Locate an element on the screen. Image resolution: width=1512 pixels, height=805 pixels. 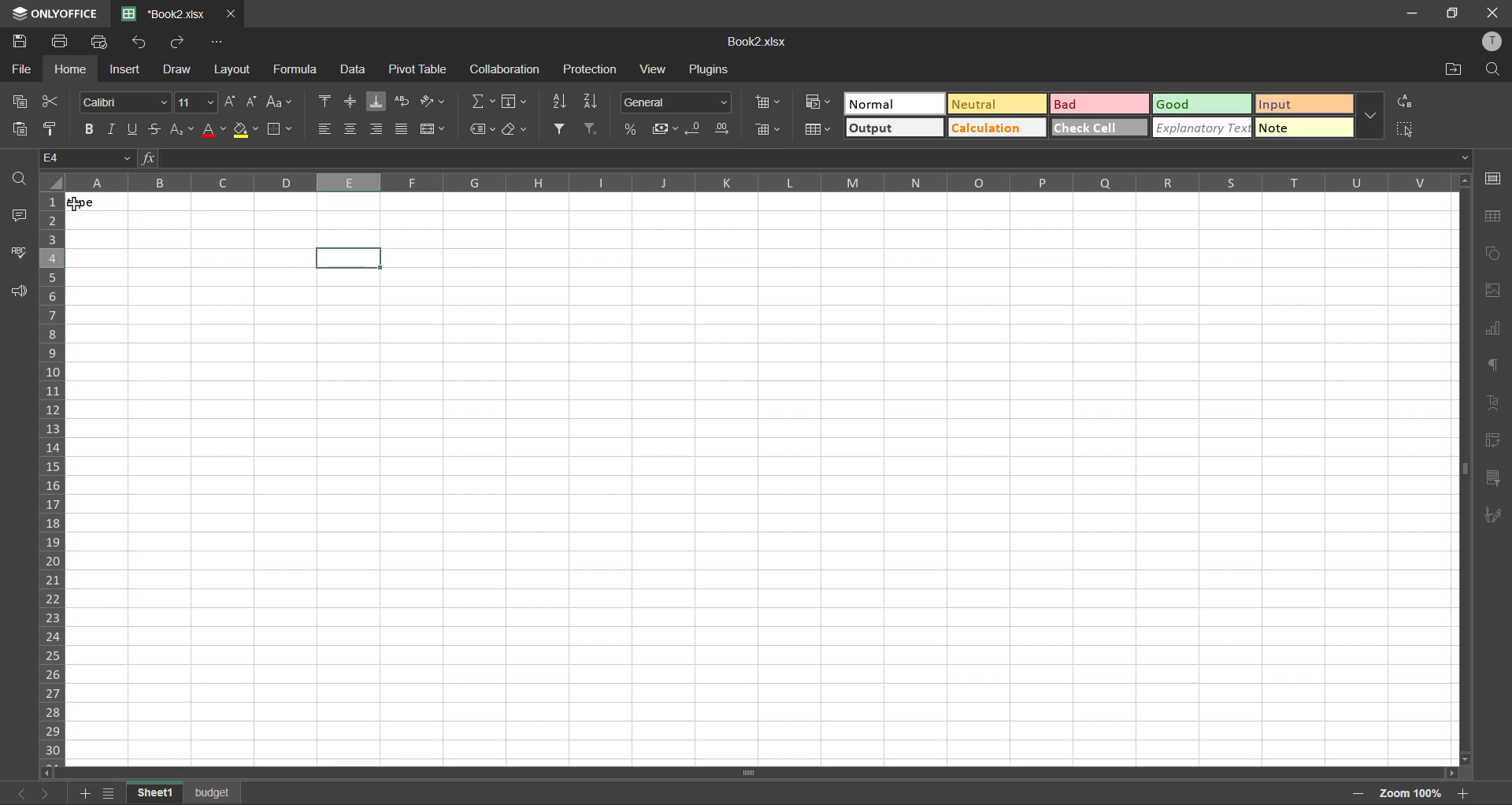
cut is located at coordinates (53, 100).